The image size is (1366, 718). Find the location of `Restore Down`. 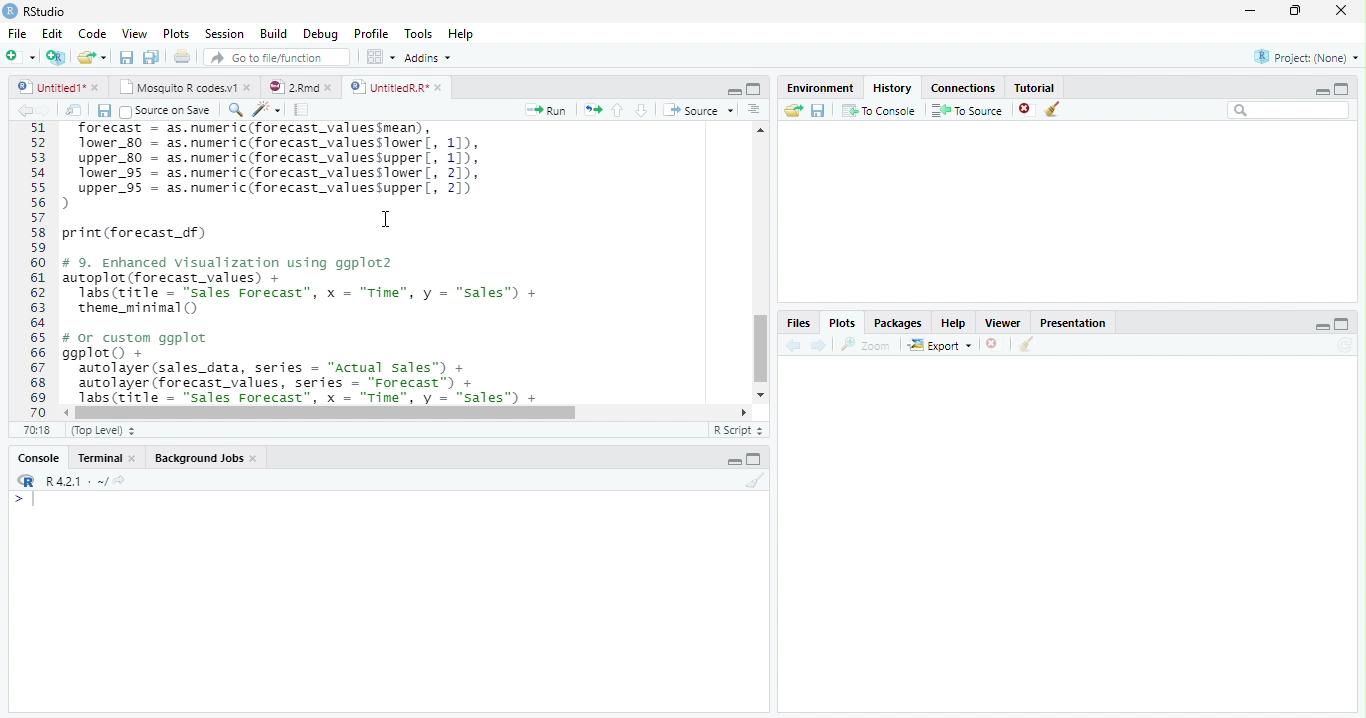

Restore Down is located at coordinates (1296, 12).